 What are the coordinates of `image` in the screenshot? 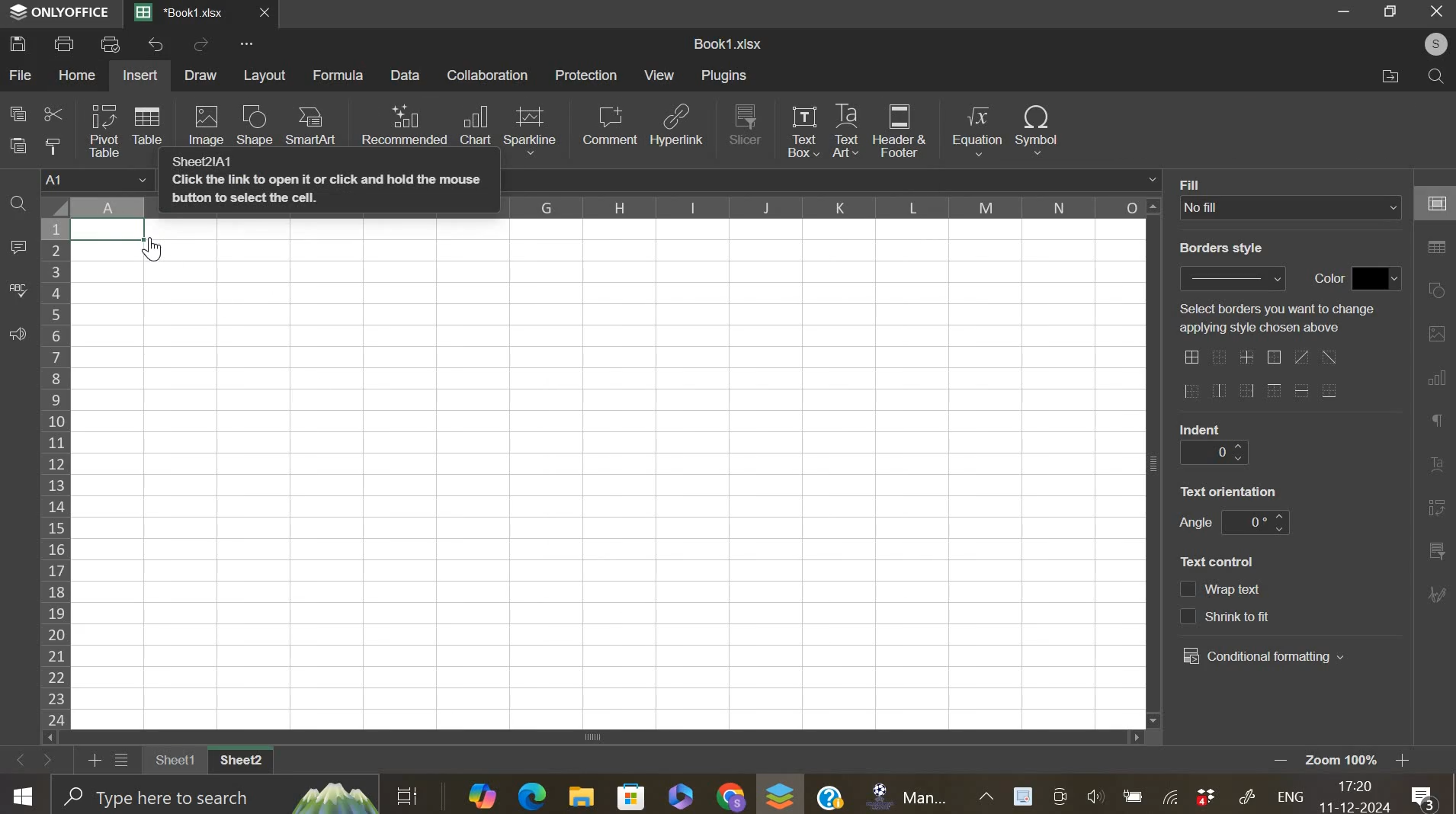 It's located at (209, 125).